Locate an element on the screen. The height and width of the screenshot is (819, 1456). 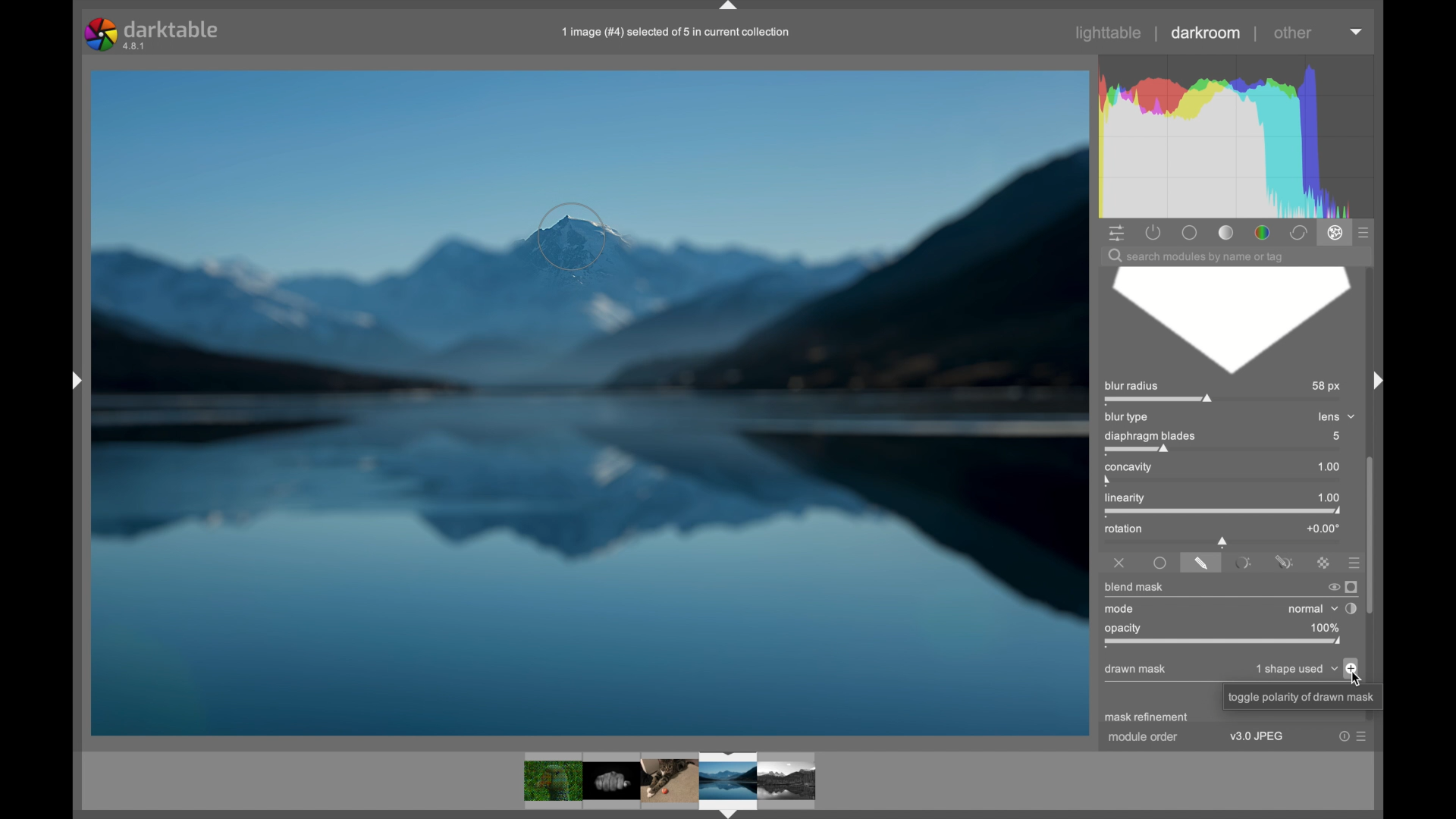
darkroom is located at coordinates (1207, 33).